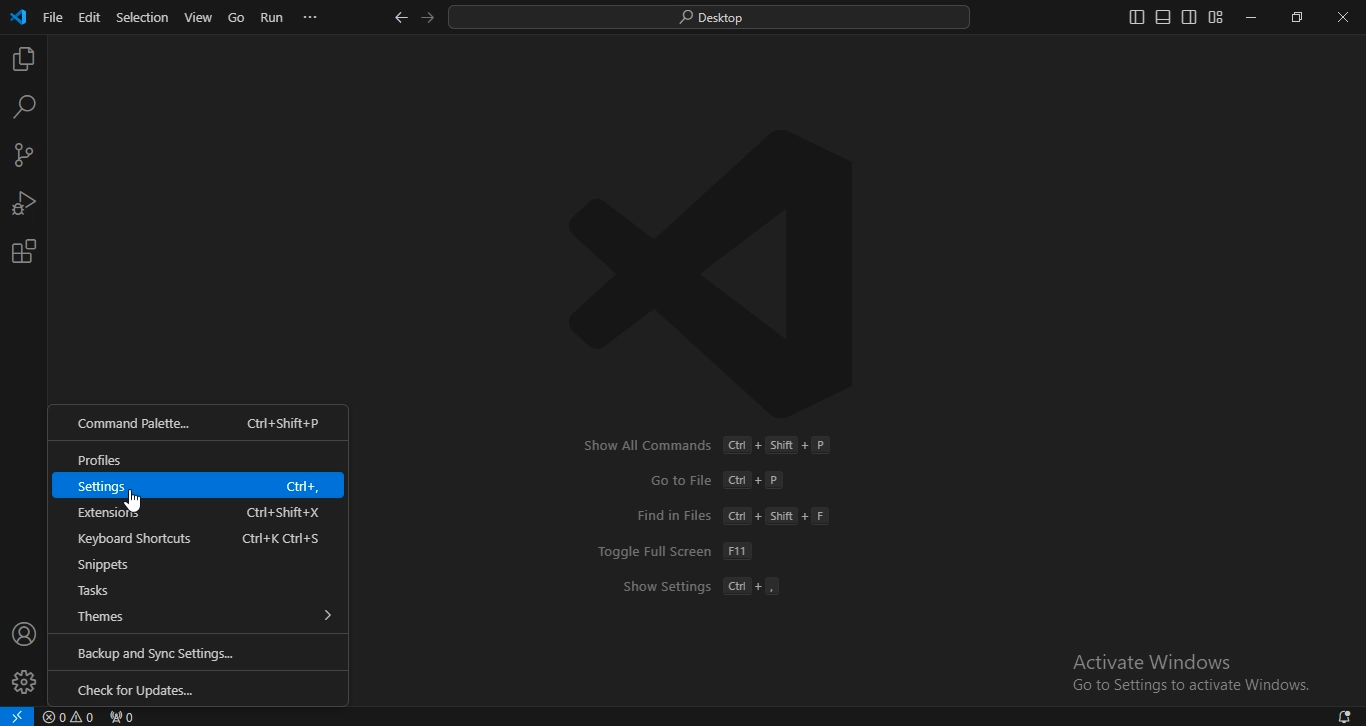  I want to click on toggle secondary side bar, so click(1189, 17).